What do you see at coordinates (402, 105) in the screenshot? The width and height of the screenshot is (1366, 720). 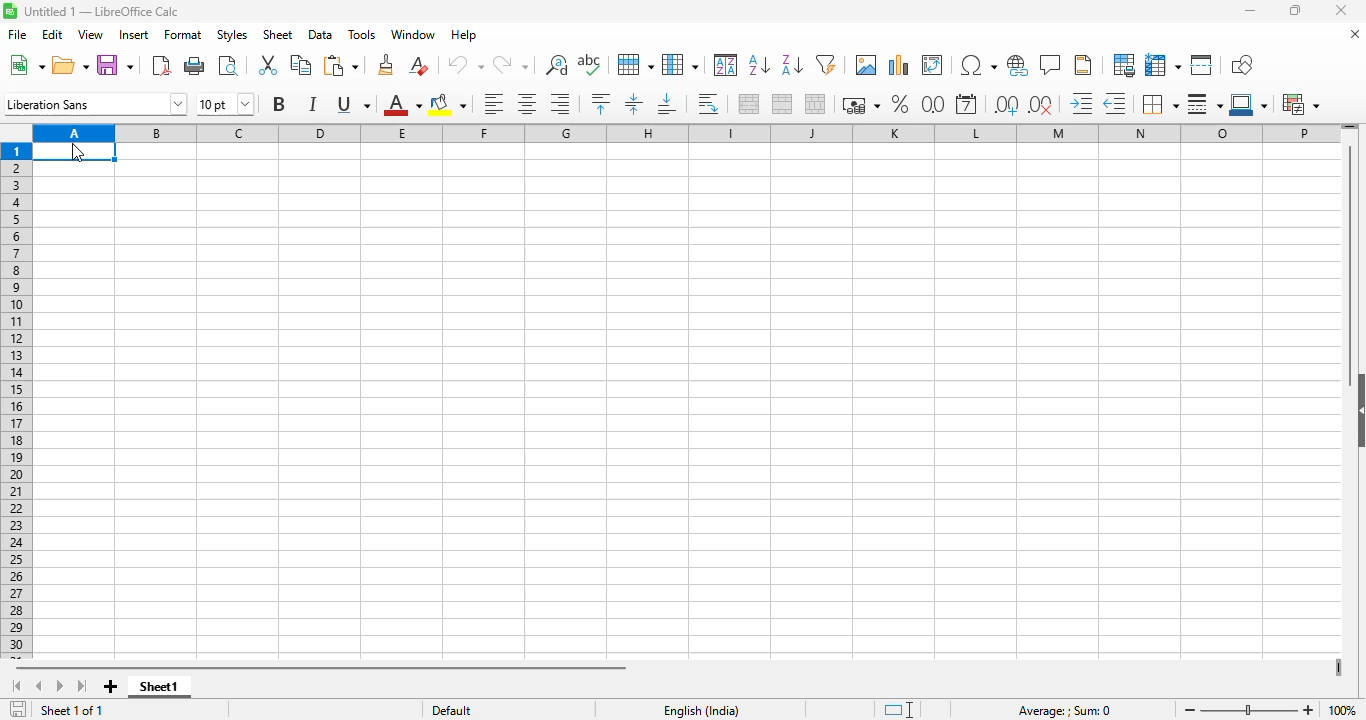 I see `font color` at bounding box center [402, 105].